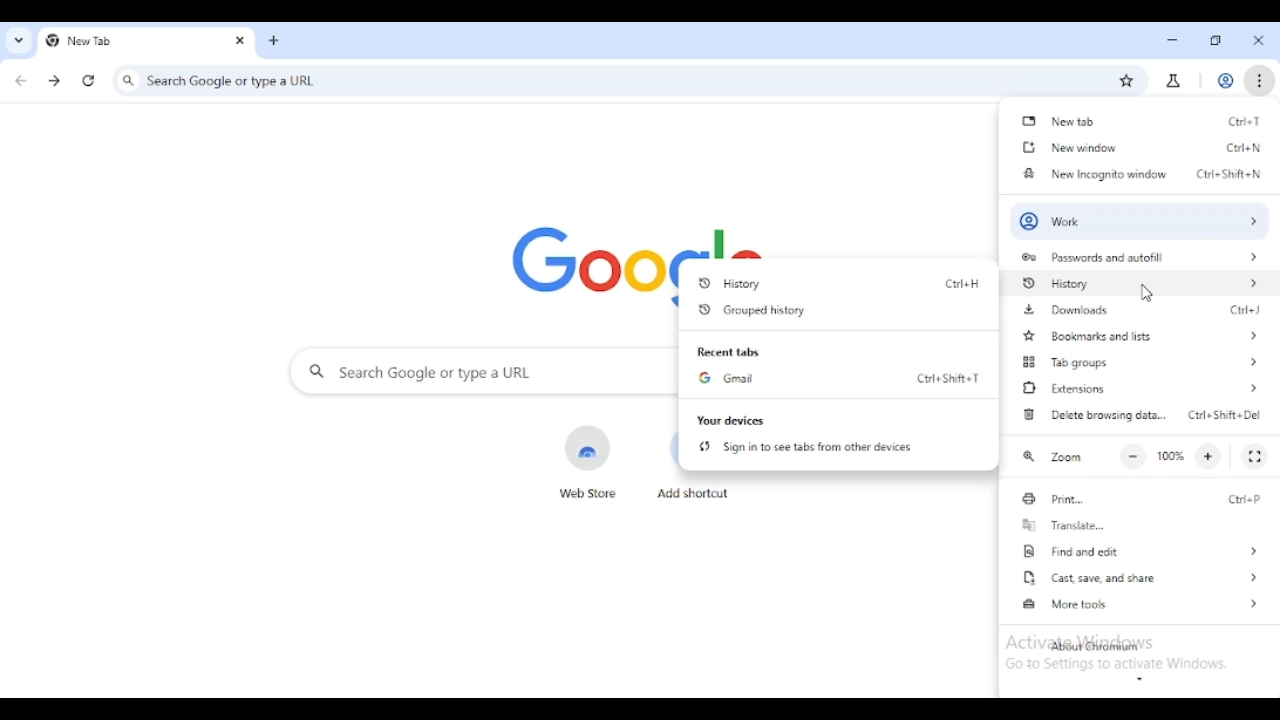 The height and width of the screenshot is (720, 1280). I want to click on cast, save, and share, so click(1138, 577).